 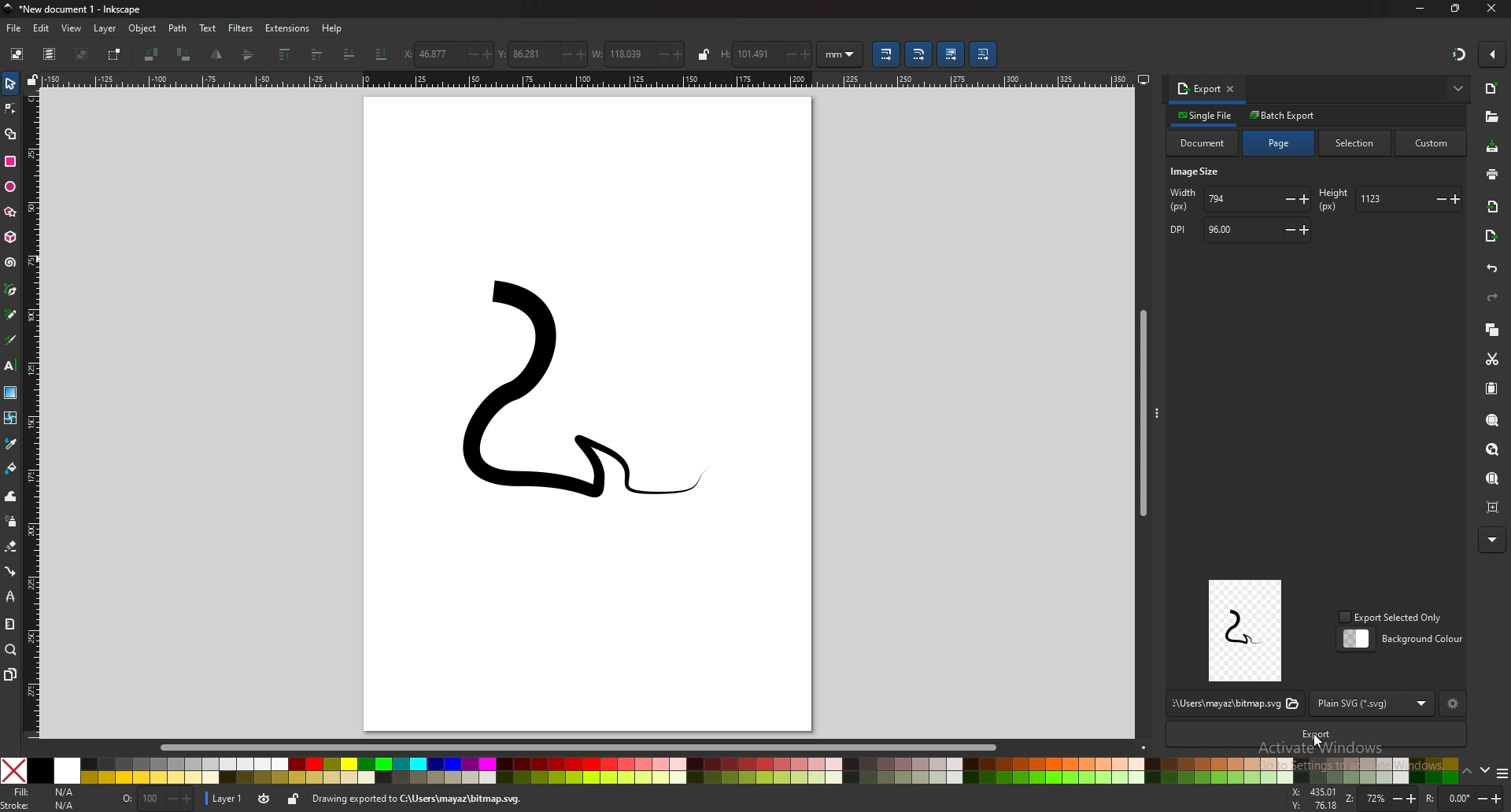 What do you see at coordinates (45, 792) in the screenshot?
I see `fill` at bounding box center [45, 792].